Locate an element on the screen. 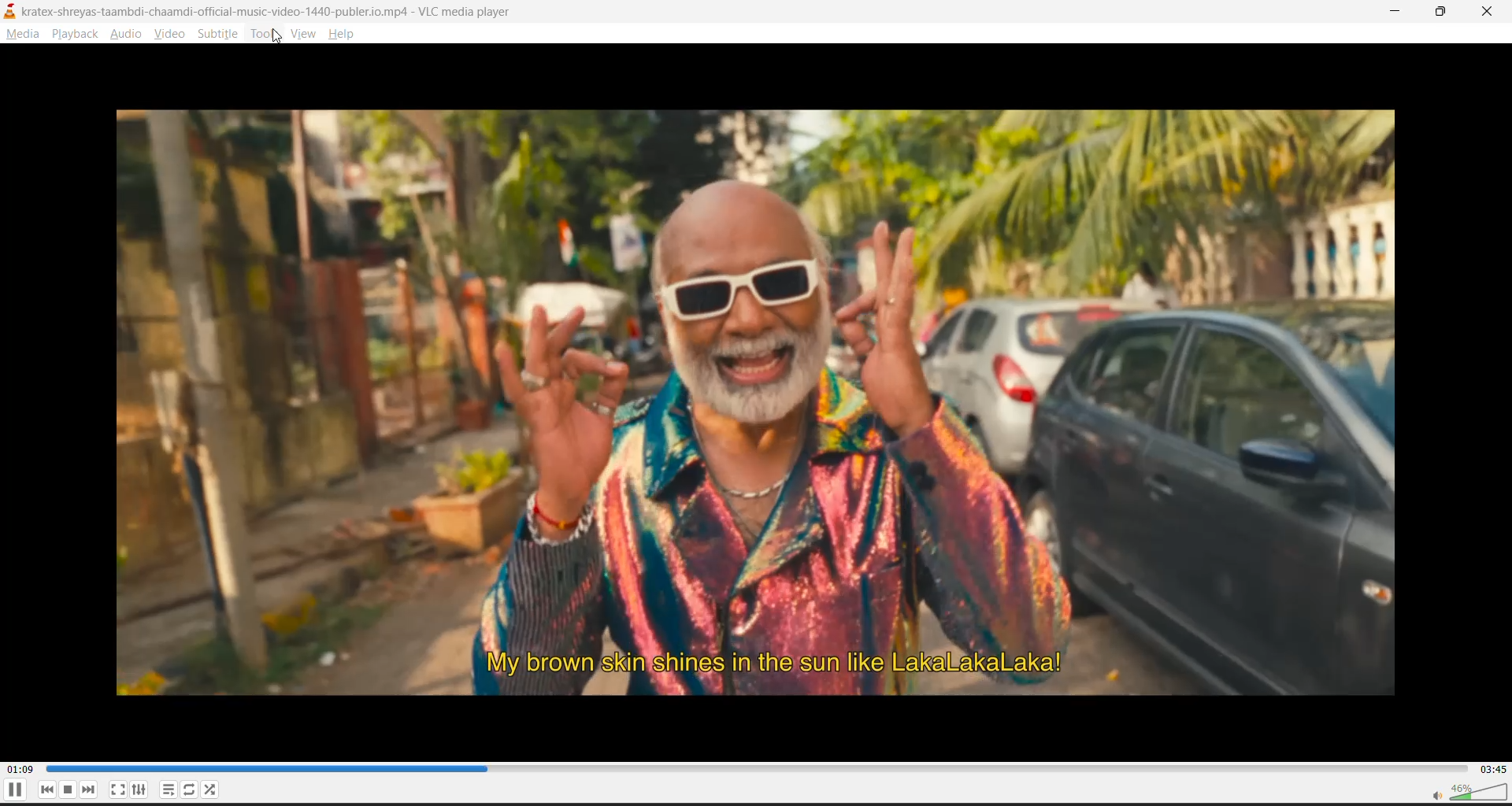 The height and width of the screenshot is (806, 1512). cursor is located at coordinates (277, 41).